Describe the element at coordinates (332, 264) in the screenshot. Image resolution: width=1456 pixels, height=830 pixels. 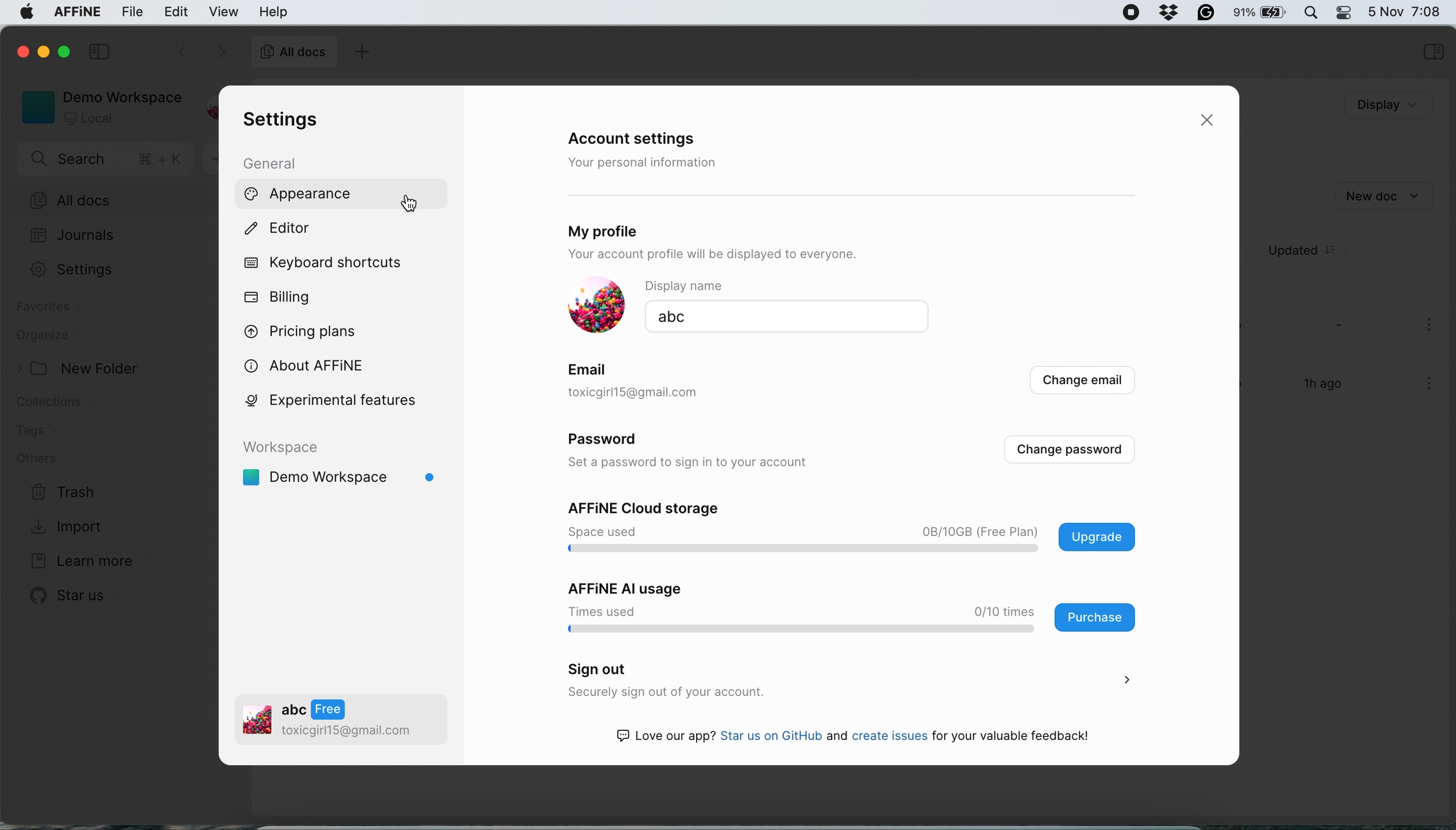
I see `keyboard shortcute` at that location.